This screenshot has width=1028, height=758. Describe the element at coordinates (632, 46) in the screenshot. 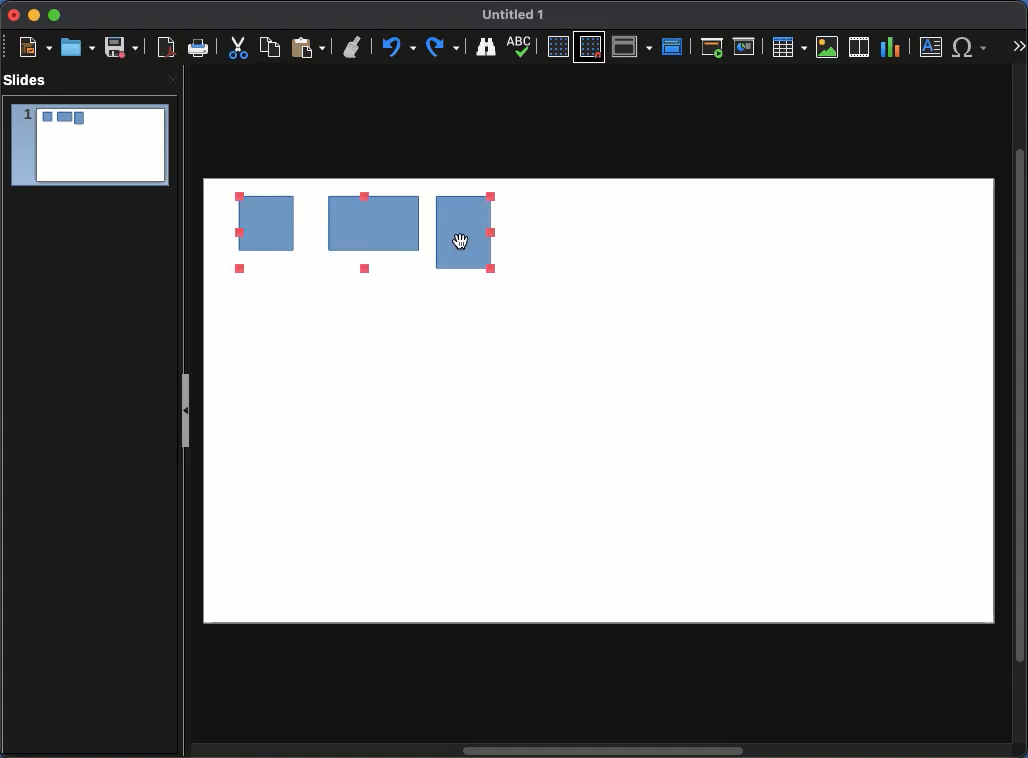

I see `Display views` at that location.